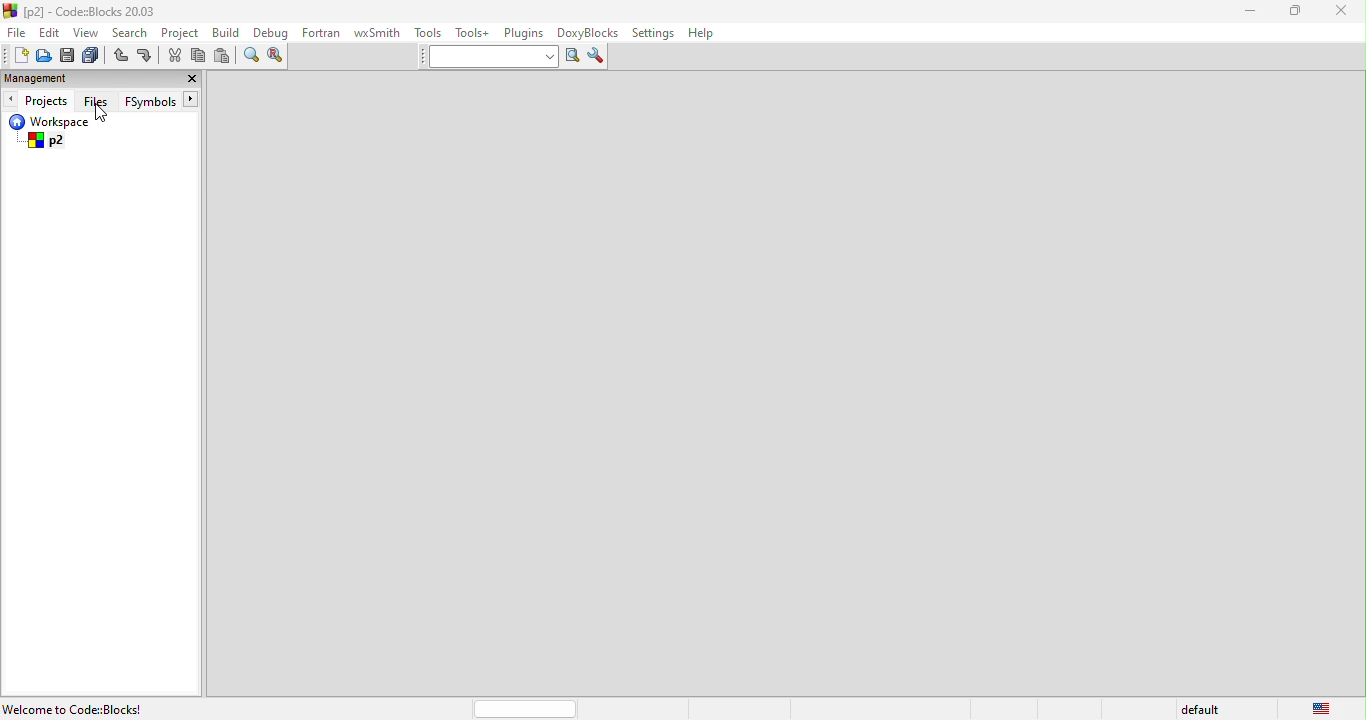 The height and width of the screenshot is (720, 1366). I want to click on redo, so click(146, 55).